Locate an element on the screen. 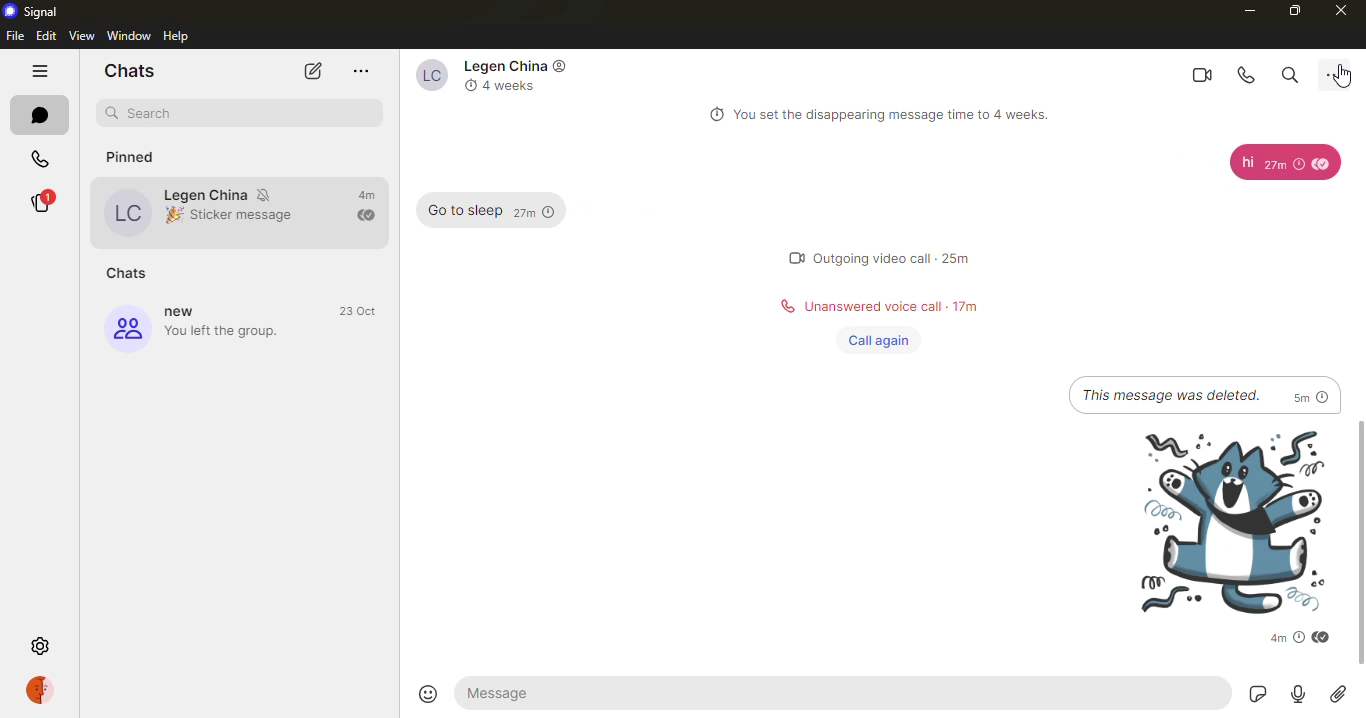 Image resolution: width=1366 pixels, height=718 pixels. help is located at coordinates (180, 35).